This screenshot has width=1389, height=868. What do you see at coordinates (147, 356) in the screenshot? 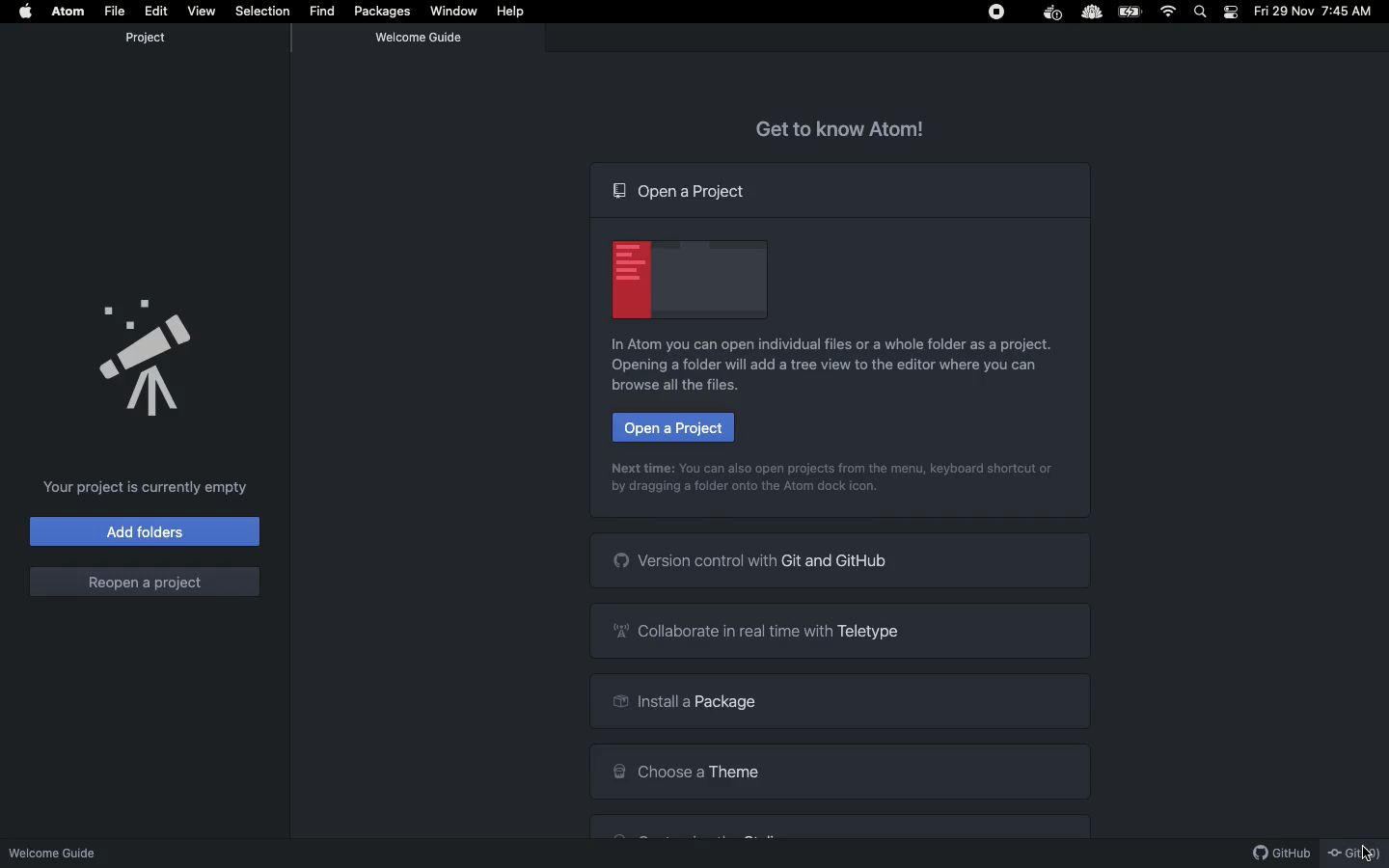
I see `Announcement` at bounding box center [147, 356].